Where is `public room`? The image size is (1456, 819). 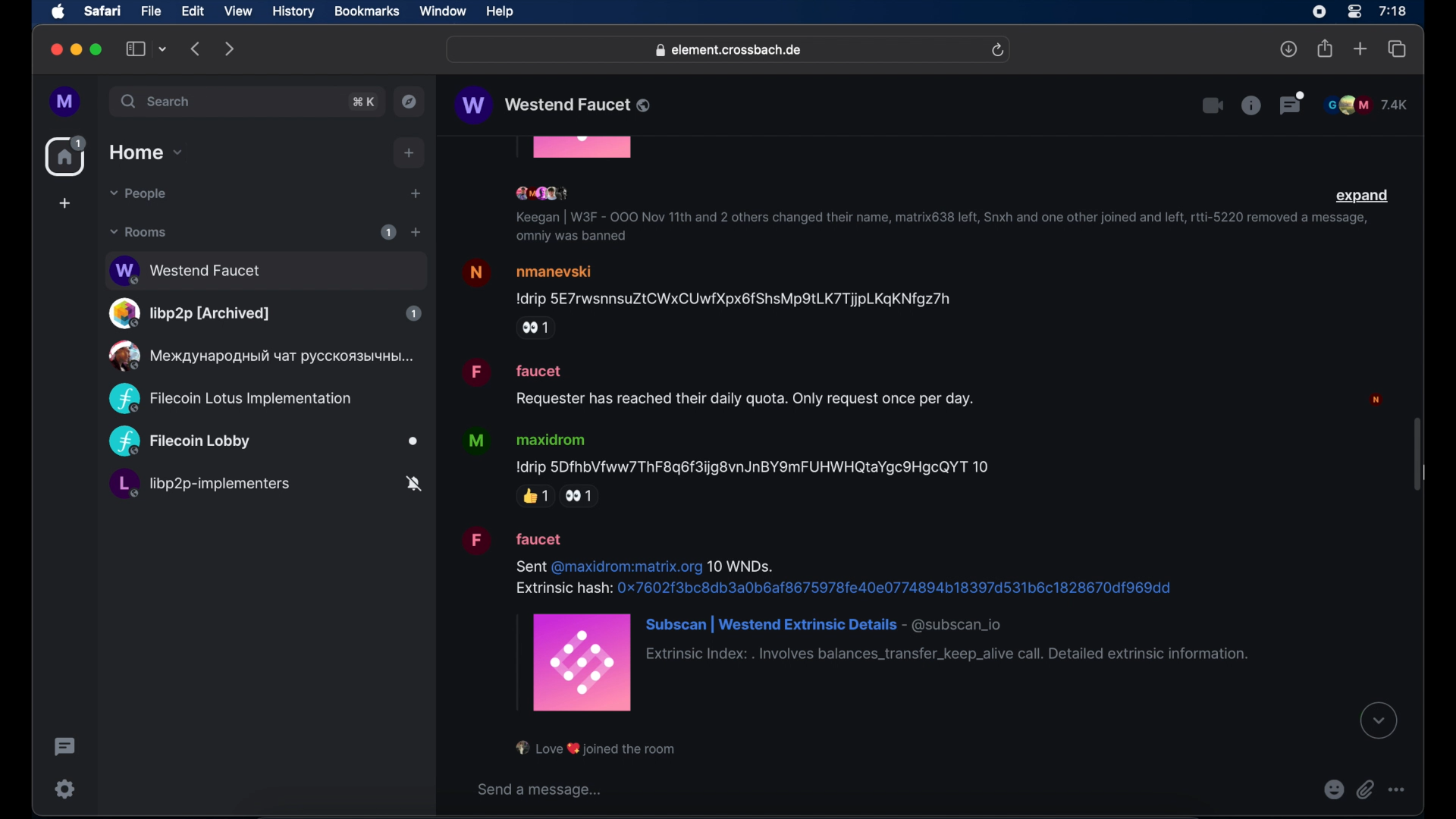
public room is located at coordinates (265, 486).